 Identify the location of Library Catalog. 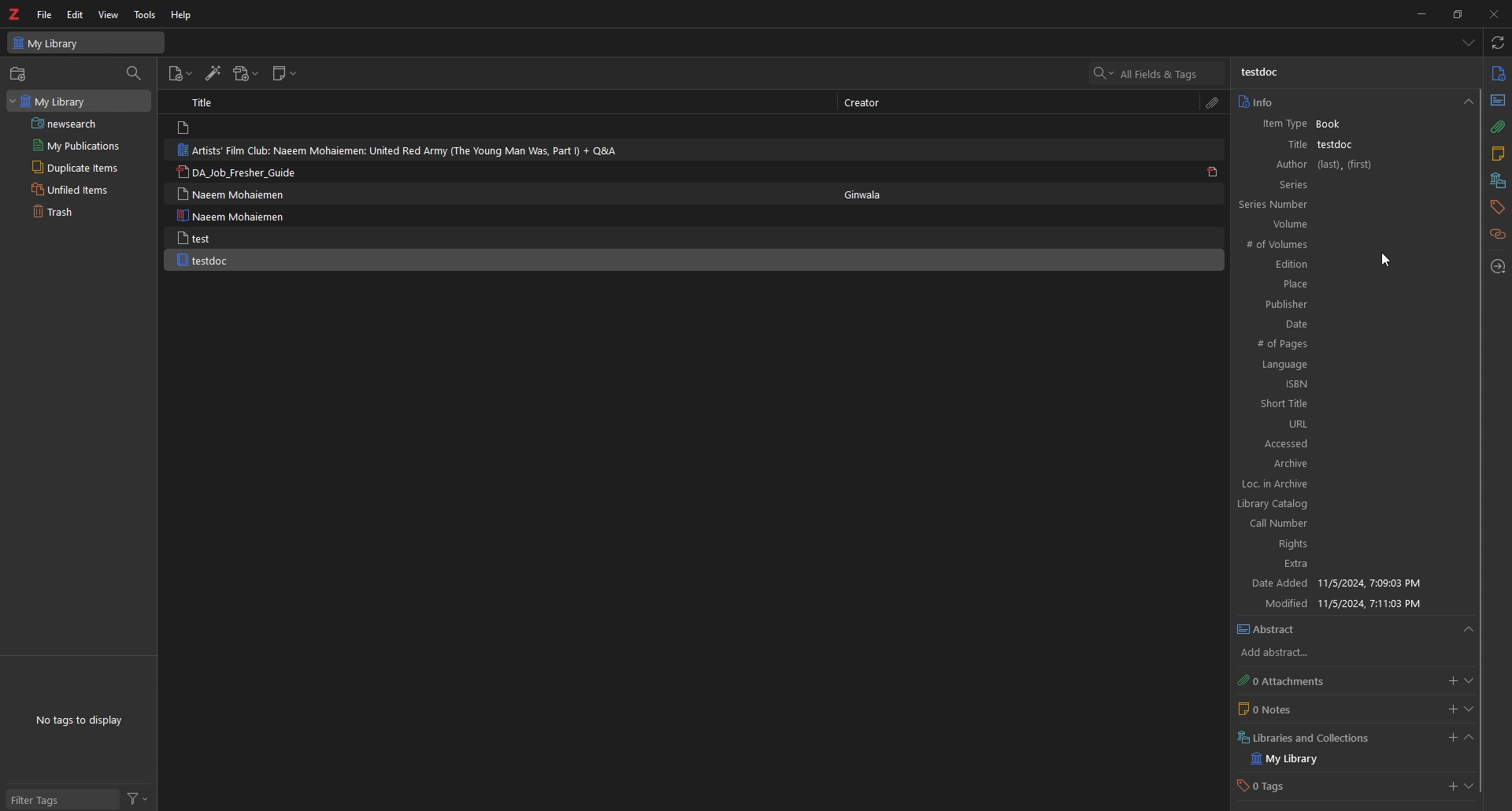
(1277, 504).